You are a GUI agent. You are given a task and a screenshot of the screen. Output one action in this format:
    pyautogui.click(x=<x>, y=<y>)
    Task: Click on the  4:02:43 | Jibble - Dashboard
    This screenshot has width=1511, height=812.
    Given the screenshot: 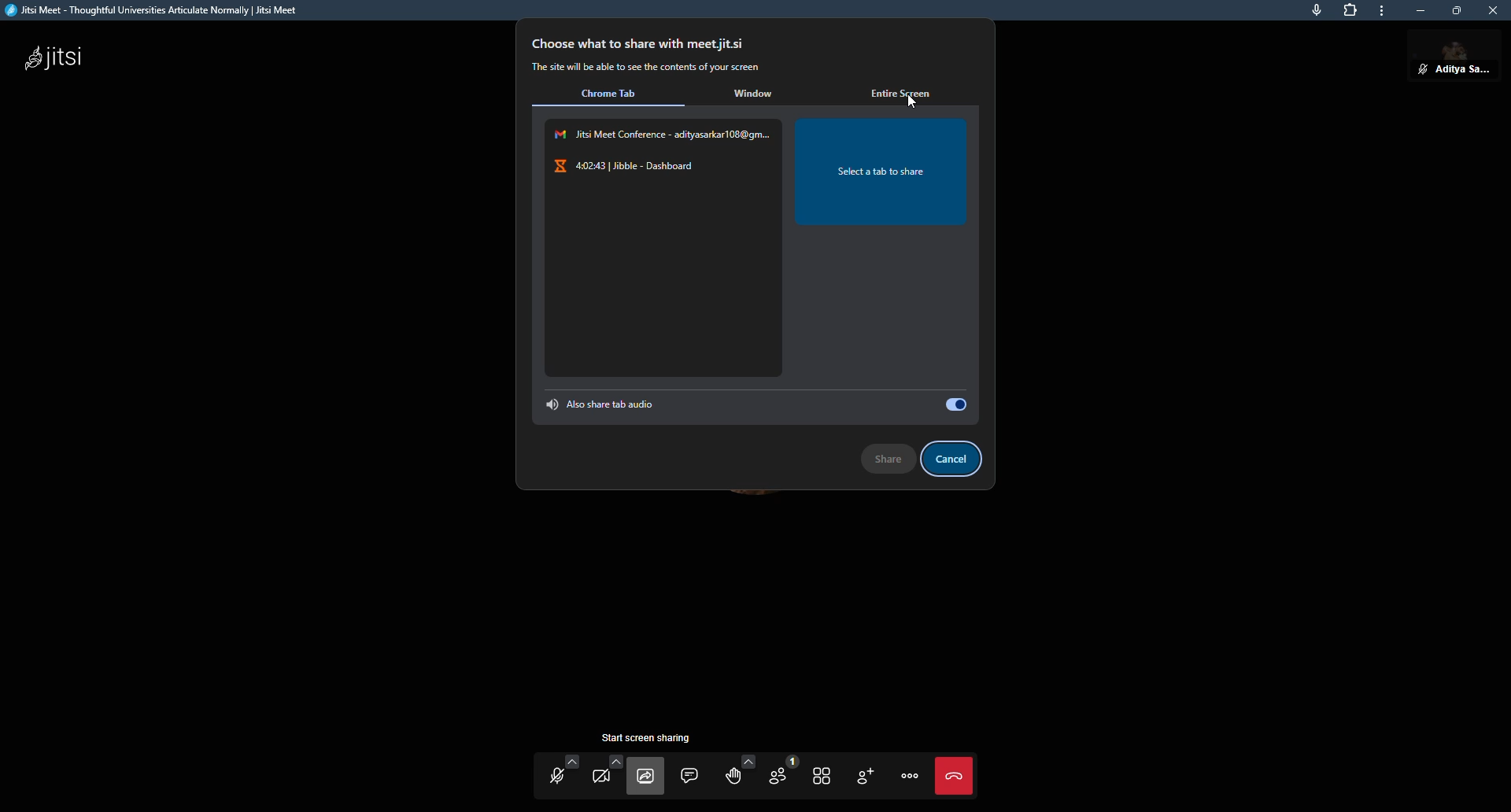 What is the action you would take?
    pyautogui.click(x=632, y=166)
    